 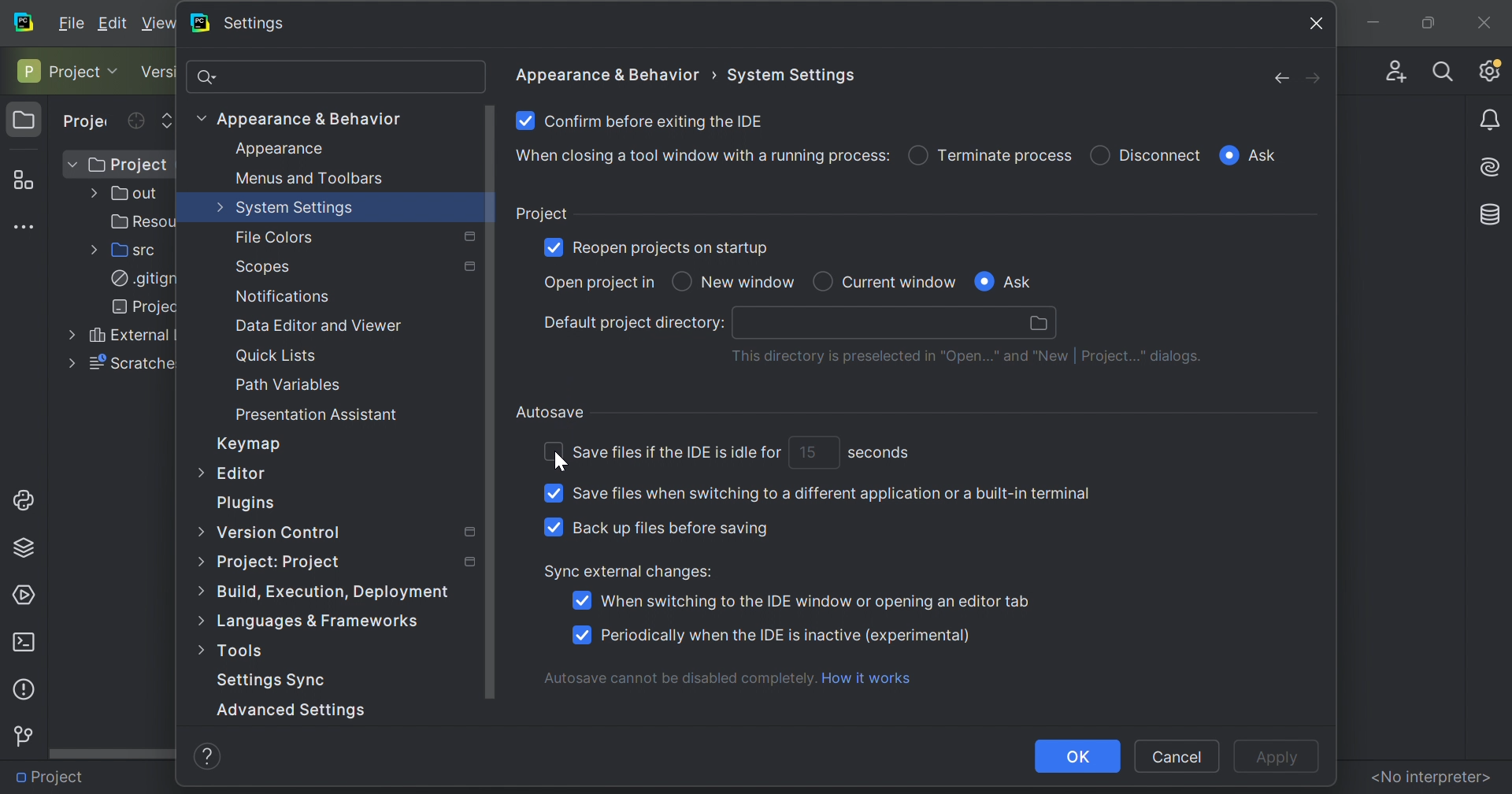 What do you see at coordinates (244, 475) in the screenshot?
I see `Editor` at bounding box center [244, 475].